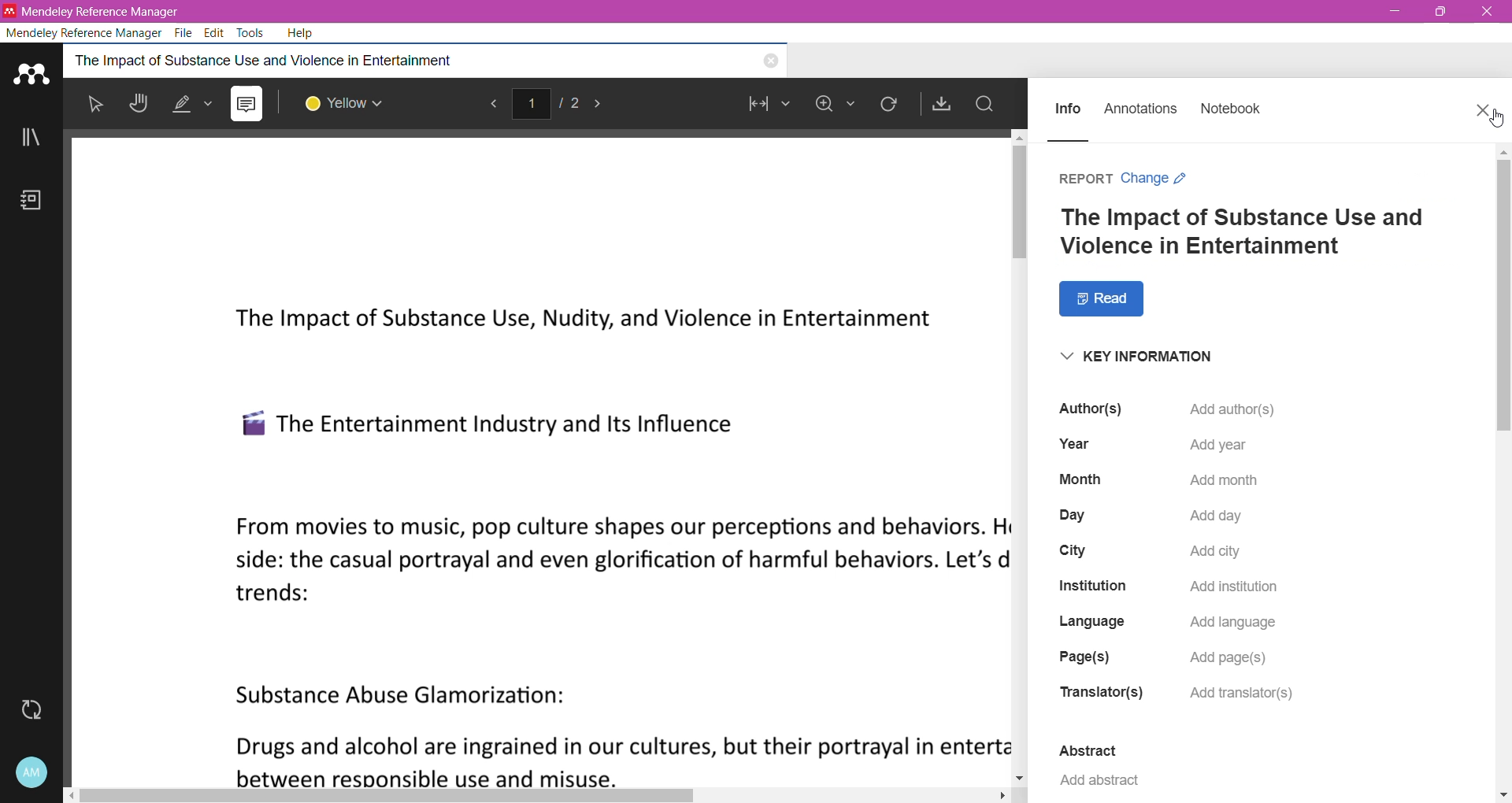  Describe the element at coordinates (889, 105) in the screenshot. I see `Rotate Current Page` at that location.